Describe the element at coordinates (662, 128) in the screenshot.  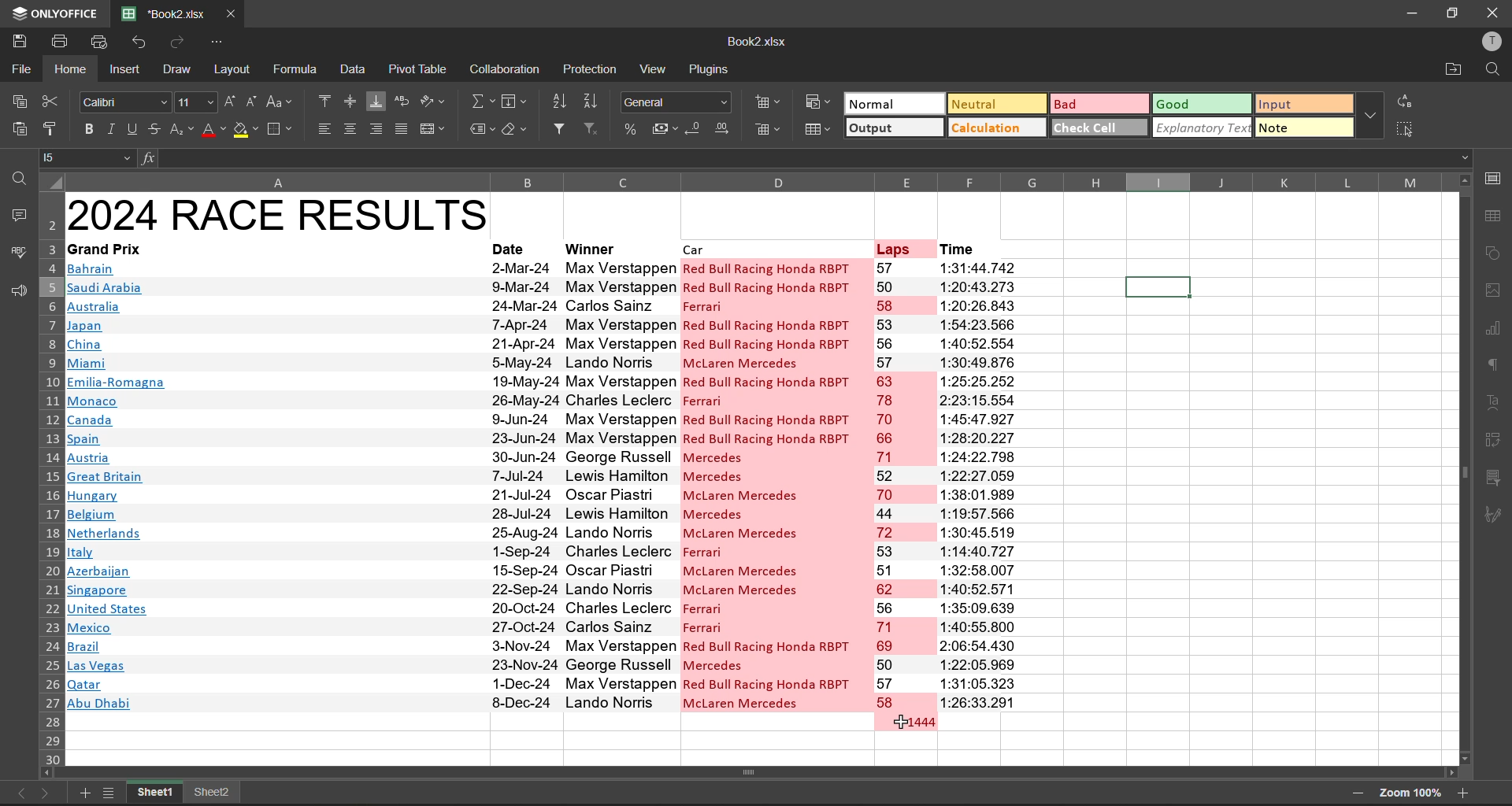
I see `accounting` at that location.